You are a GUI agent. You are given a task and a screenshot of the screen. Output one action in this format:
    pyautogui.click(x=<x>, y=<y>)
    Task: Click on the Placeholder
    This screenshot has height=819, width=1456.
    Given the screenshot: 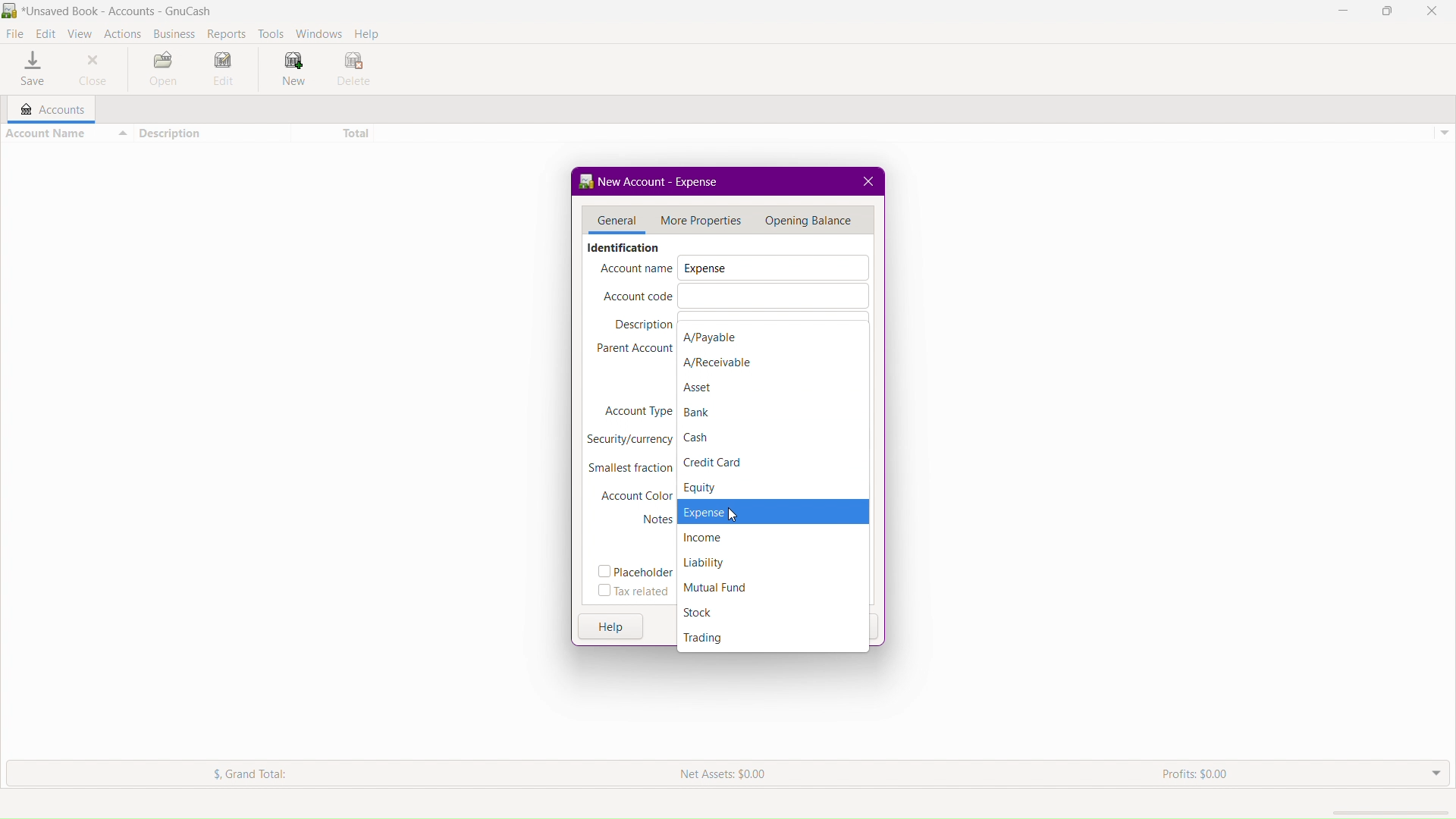 What is the action you would take?
    pyautogui.click(x=632, y=573)
    